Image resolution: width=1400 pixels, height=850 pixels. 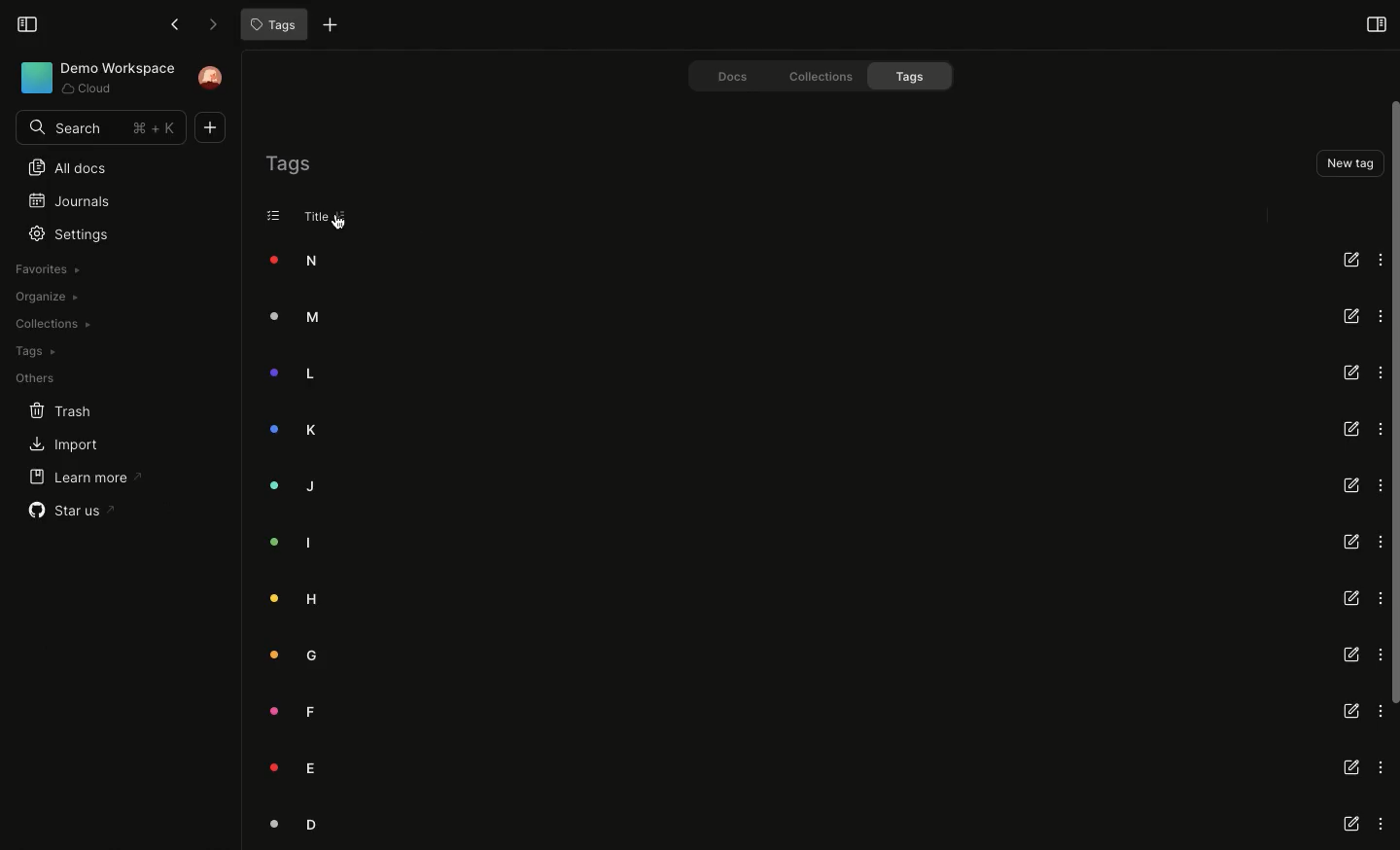 What do you see at coordinates (291, 597) in the screenshot?
I see `H` at bounding box center [291, 597].